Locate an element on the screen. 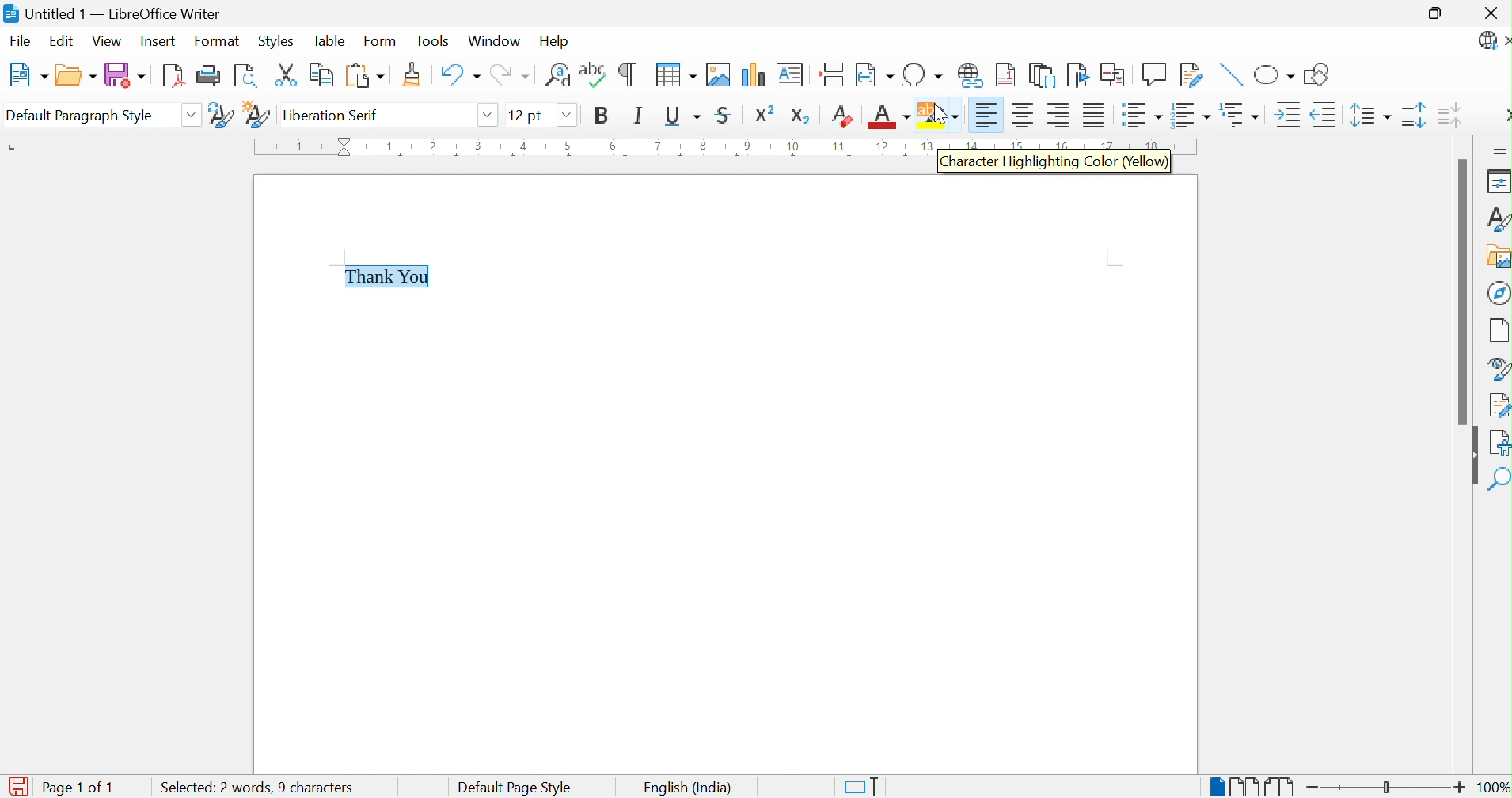 The height and width of the screenshot is (798, 1512). 12 pt is located at coordinates (527, 113).